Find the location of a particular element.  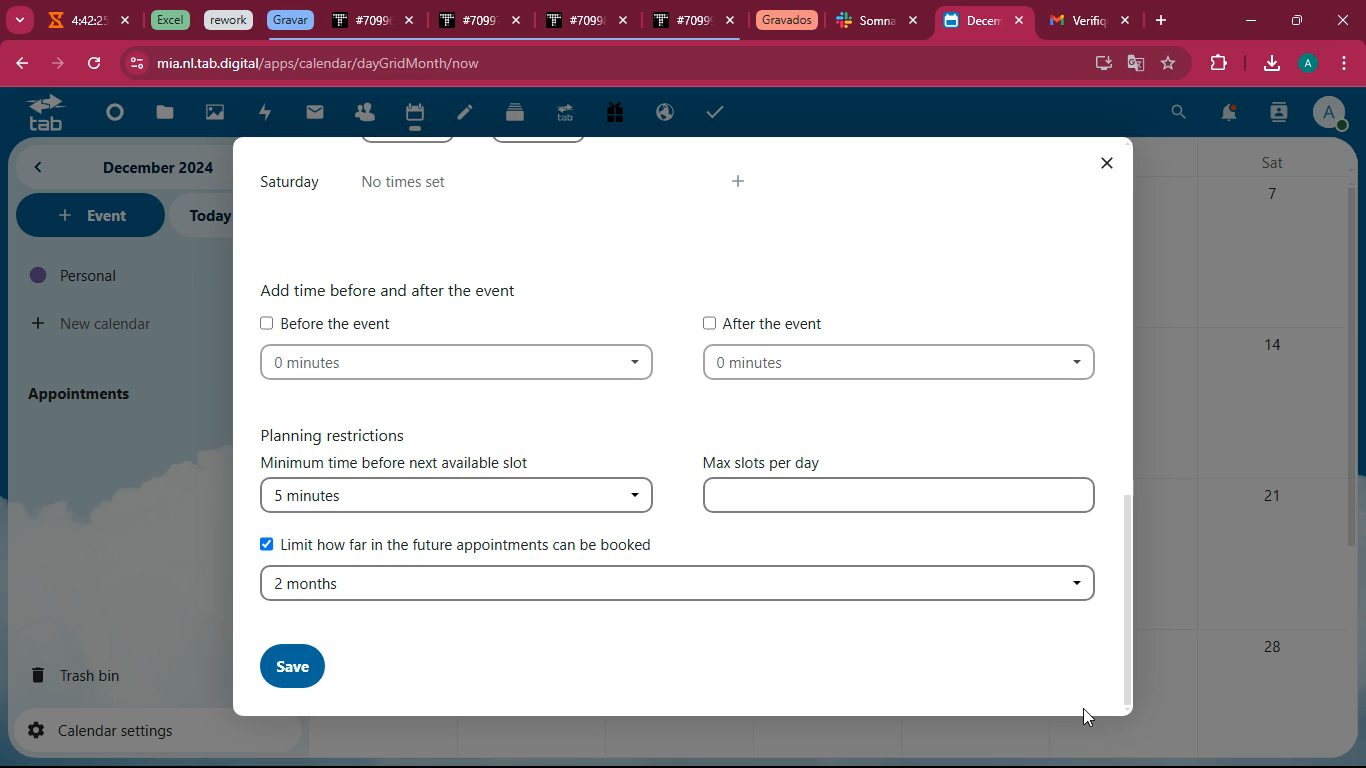

public is located at coordinates (666, 113).